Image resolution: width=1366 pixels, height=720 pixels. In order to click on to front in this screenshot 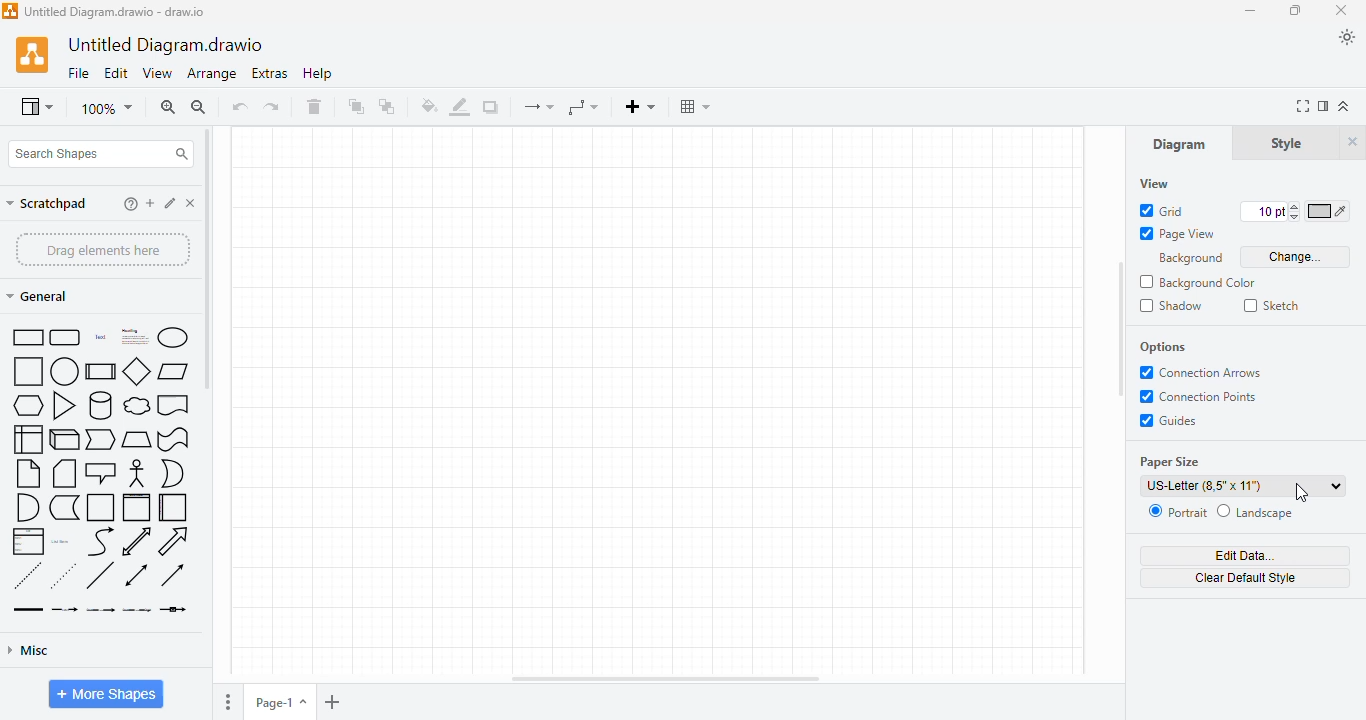, I will do `click(355, 106)`.